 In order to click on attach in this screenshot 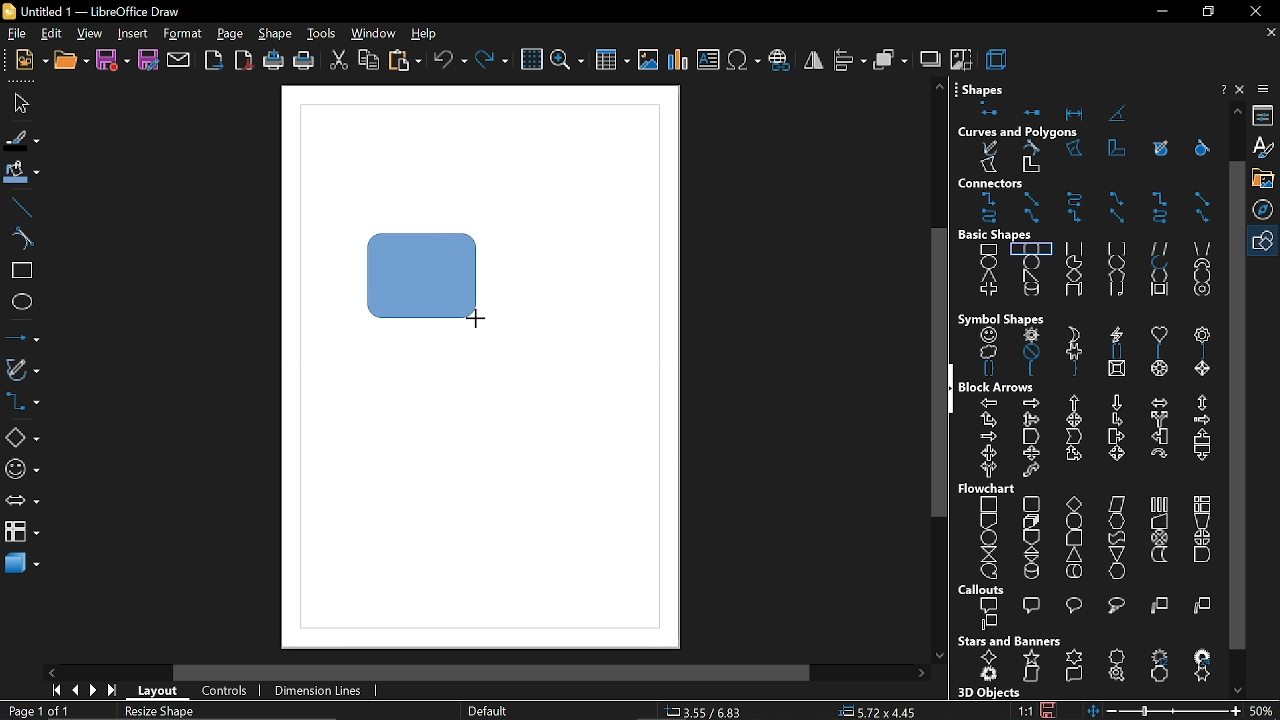, I will do `click(180, 61)`.